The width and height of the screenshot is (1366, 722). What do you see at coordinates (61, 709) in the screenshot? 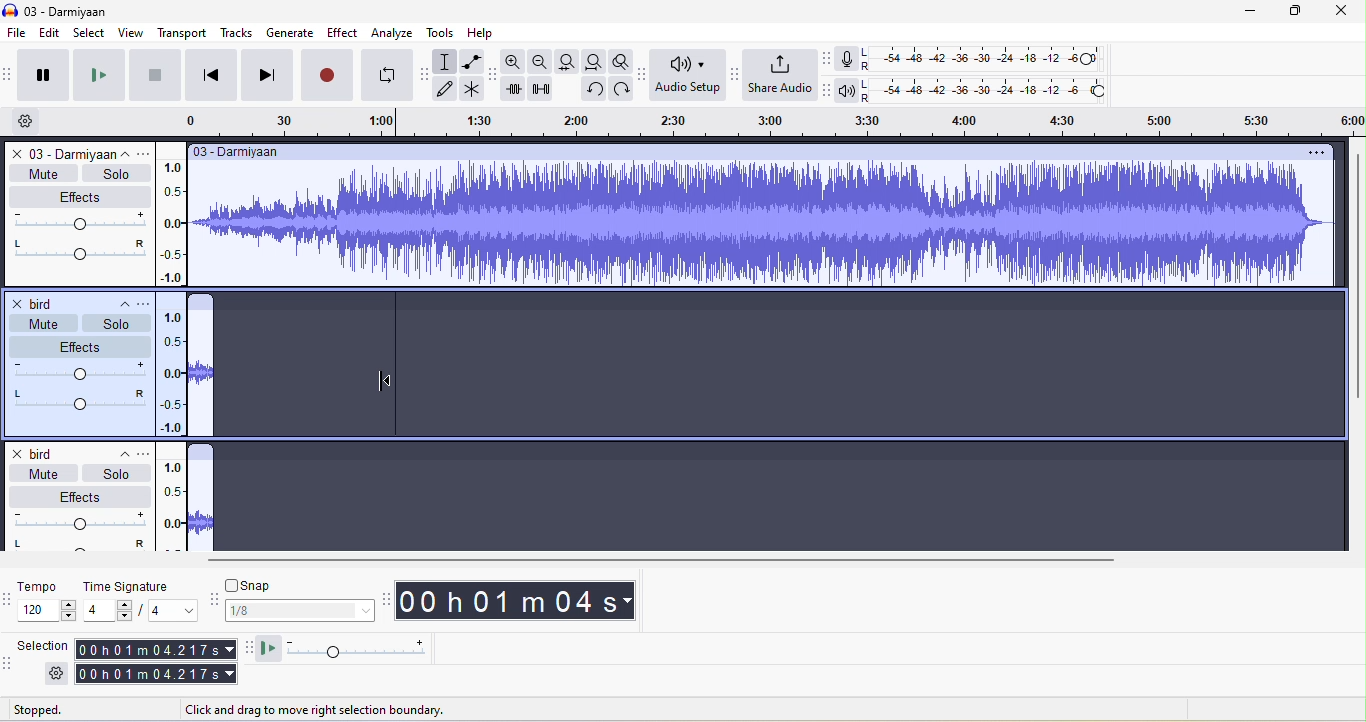
I see `stopped` at bounding box center [61, 709].